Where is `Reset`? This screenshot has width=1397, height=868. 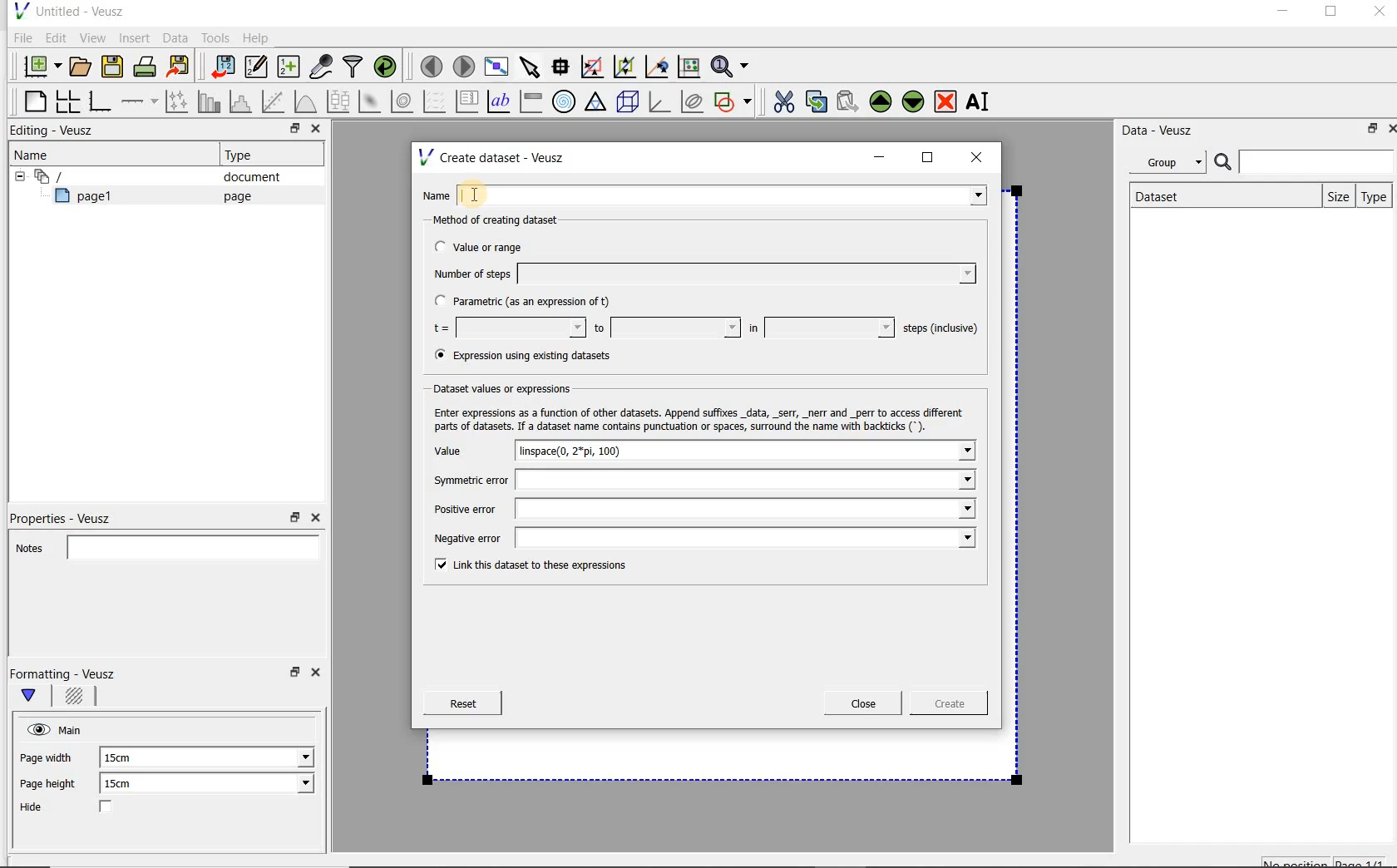 Reset is located at coordinates (462, 703).